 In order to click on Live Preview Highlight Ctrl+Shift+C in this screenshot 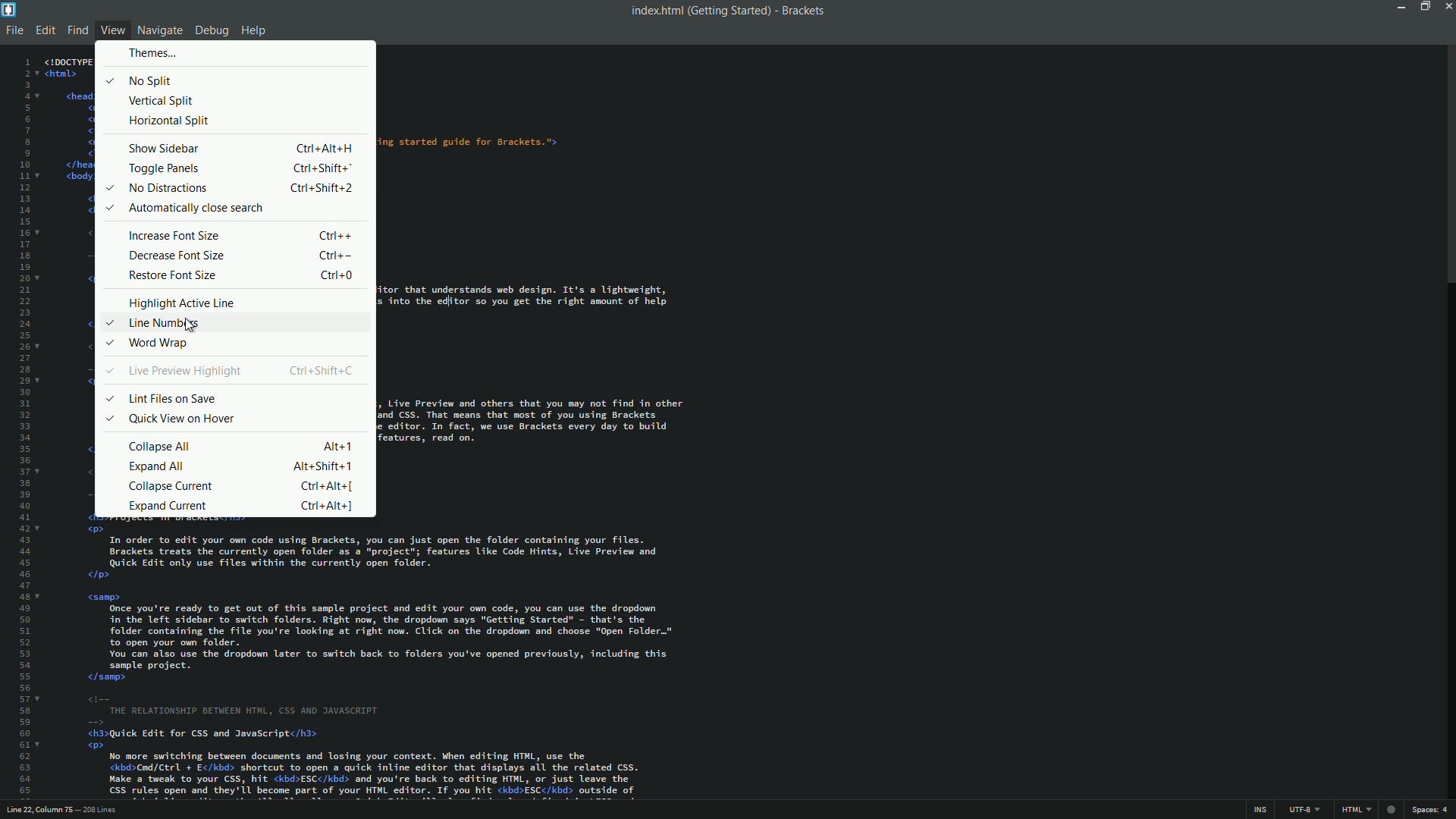, I will do `click(229, 371)`.